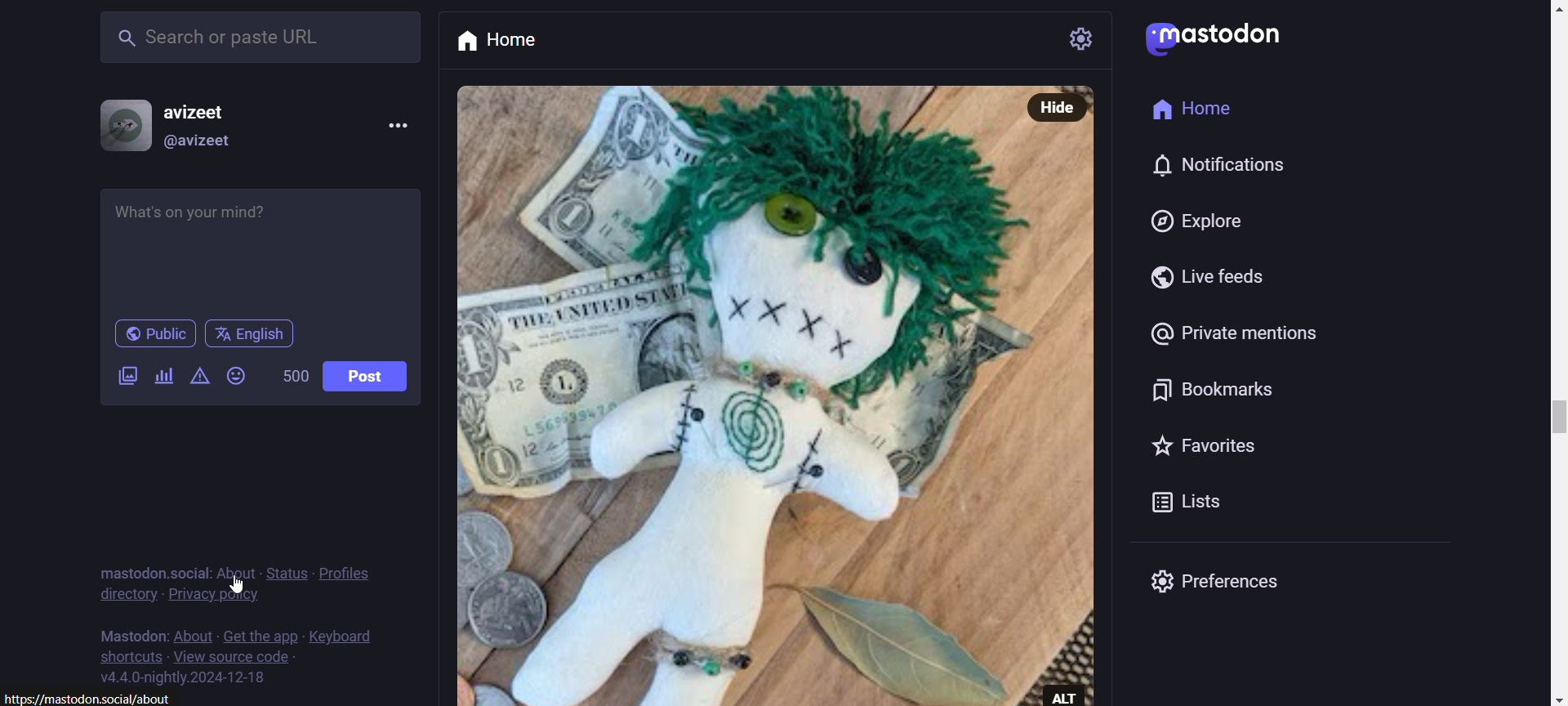  What do you see at coordinates (192, 637) in the screenshot?
I see `about` at bounding box center [192, 637].